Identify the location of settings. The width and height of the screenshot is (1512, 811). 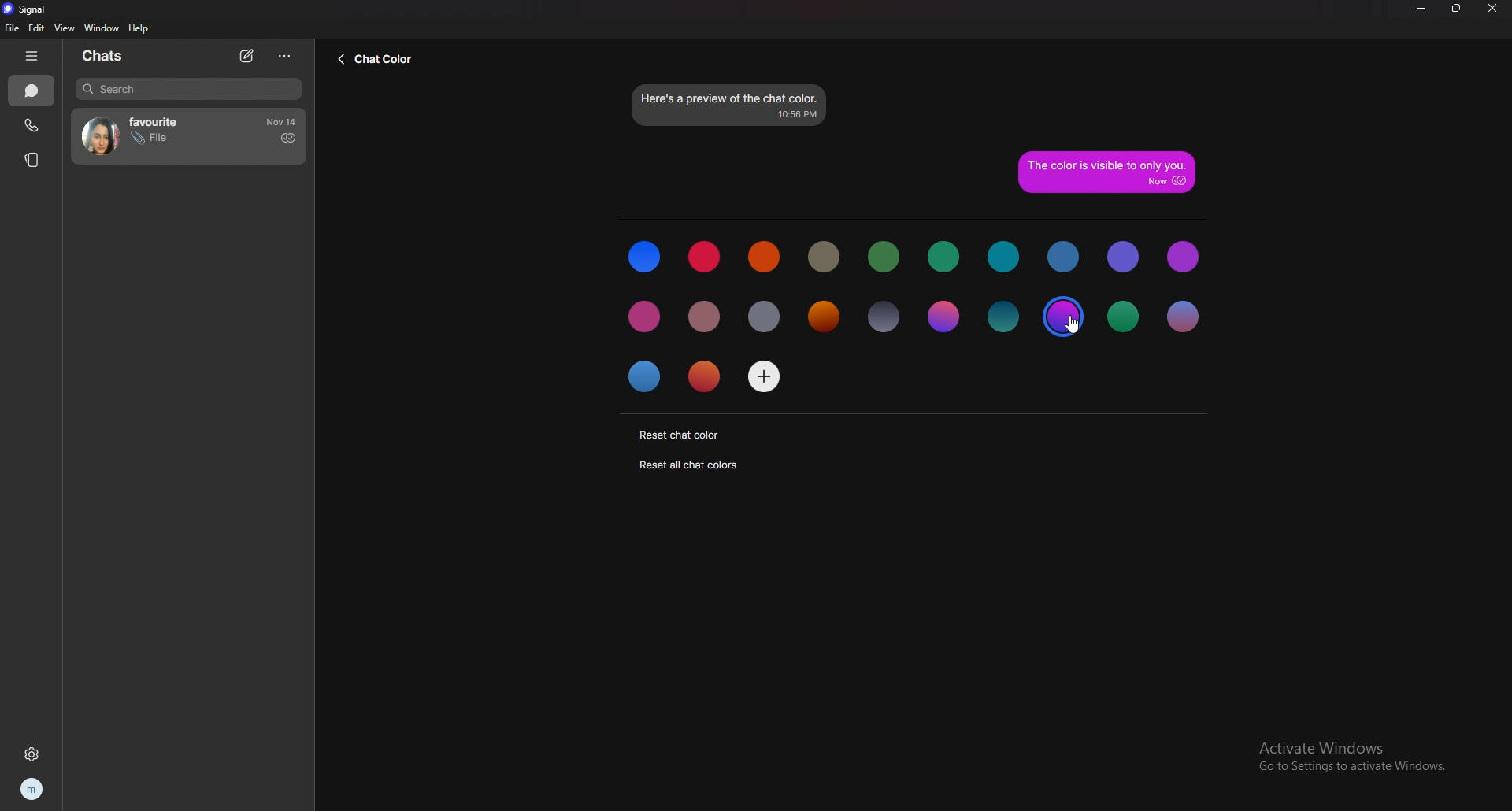
(36, 755).